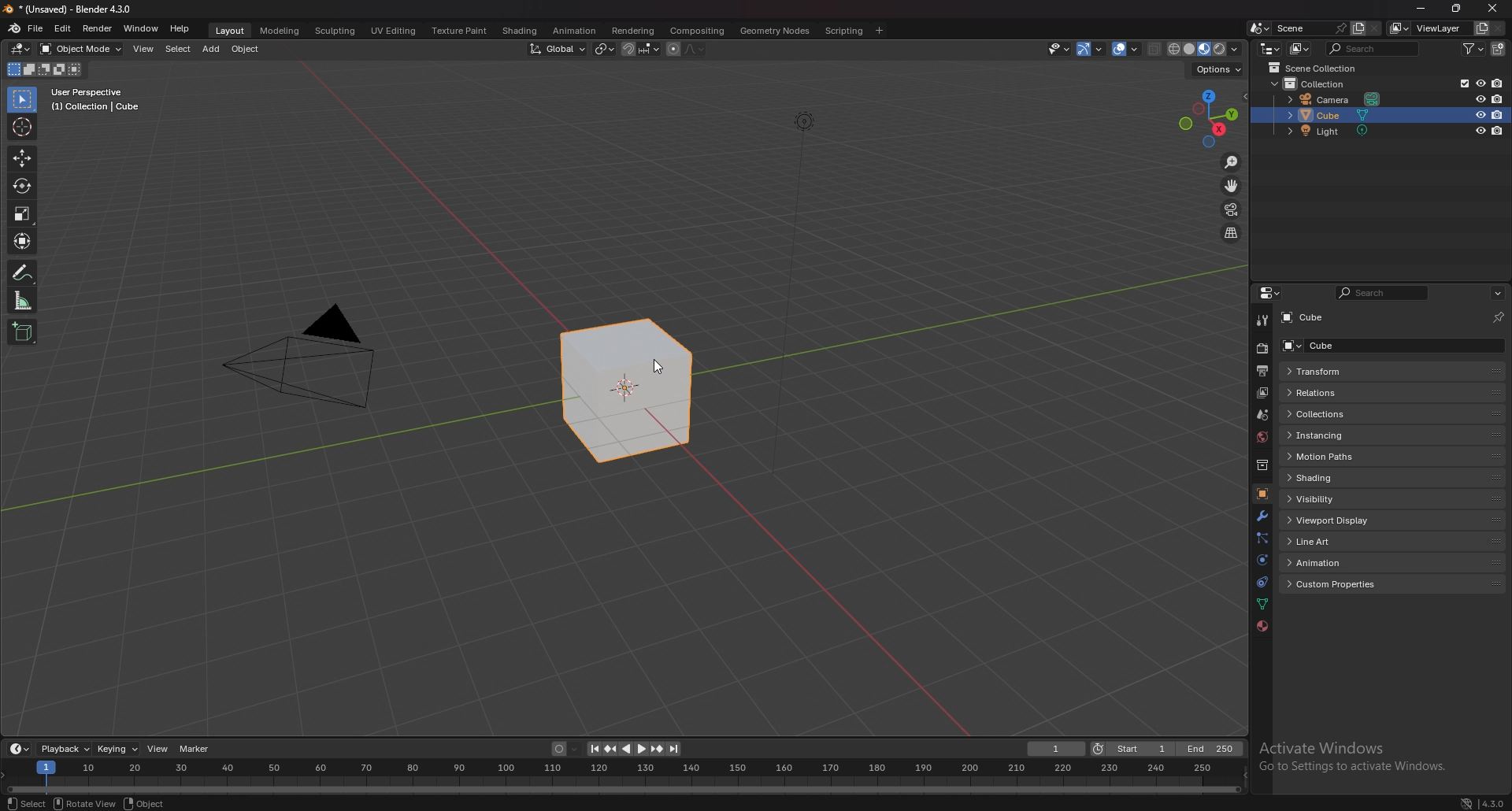  Describe the element at coordinates (1498, 114) in the screenshot. I see `disable in renders` at that location.